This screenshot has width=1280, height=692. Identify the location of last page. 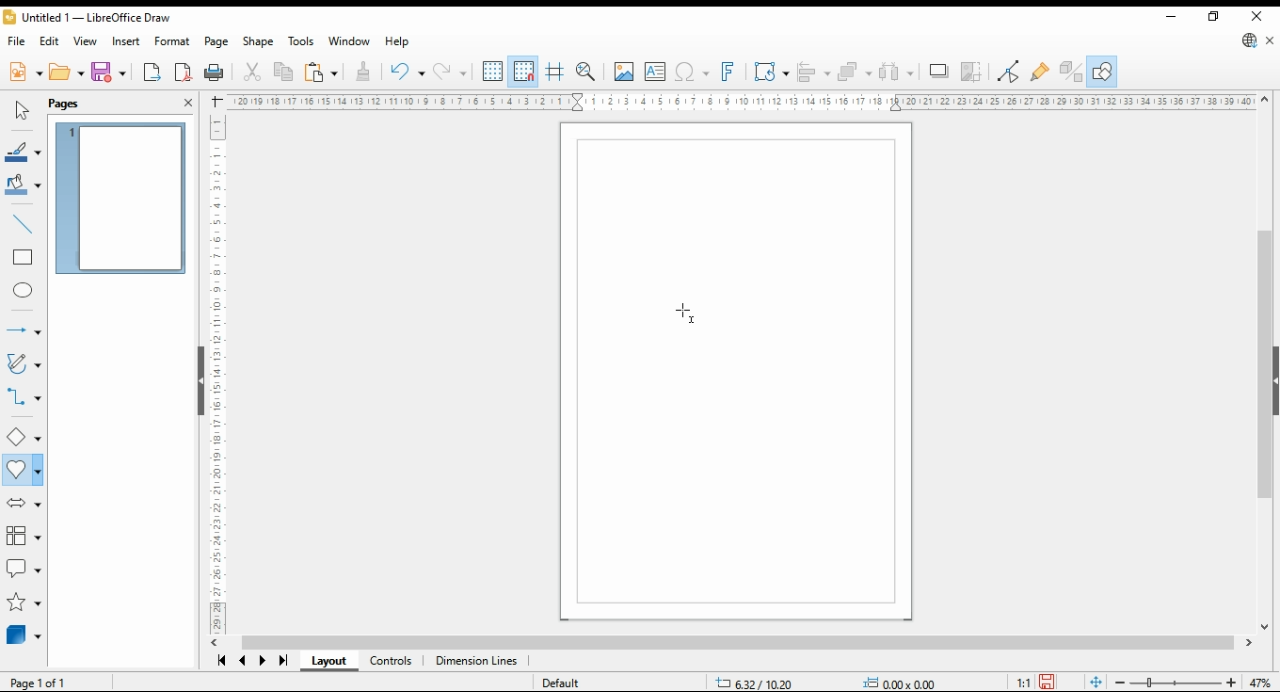
(282, 663).